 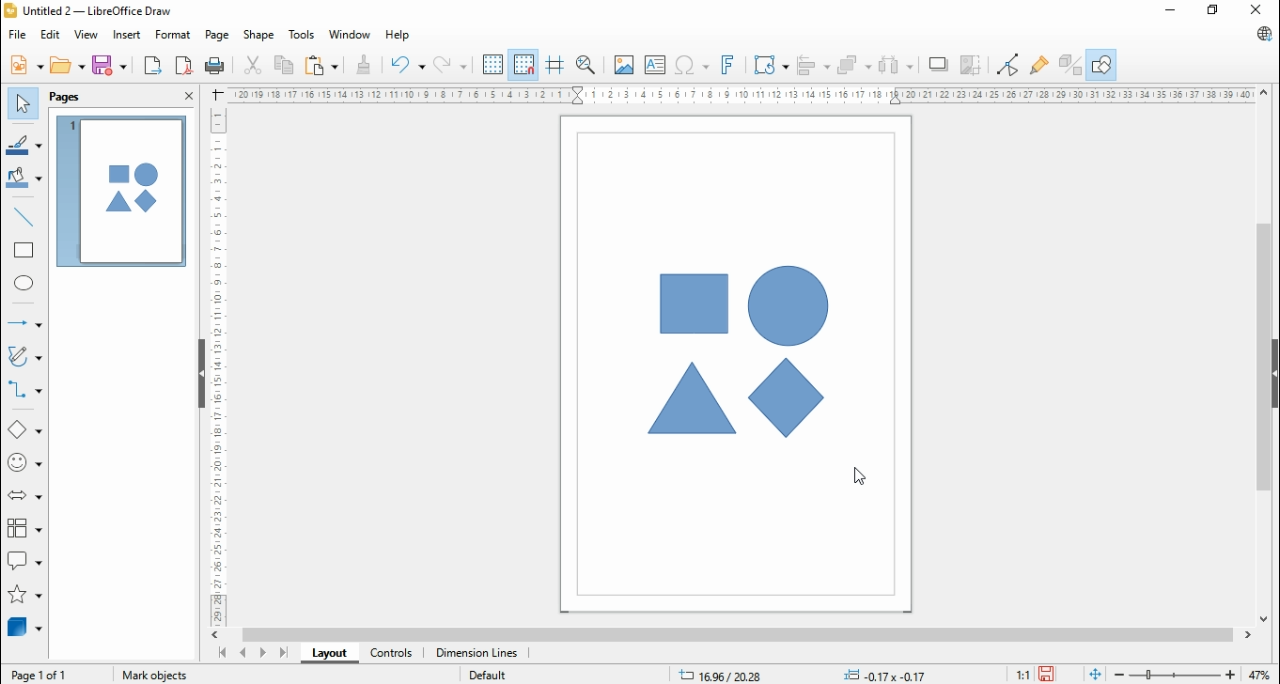 I want to click on save, so click(x=110, y=65).